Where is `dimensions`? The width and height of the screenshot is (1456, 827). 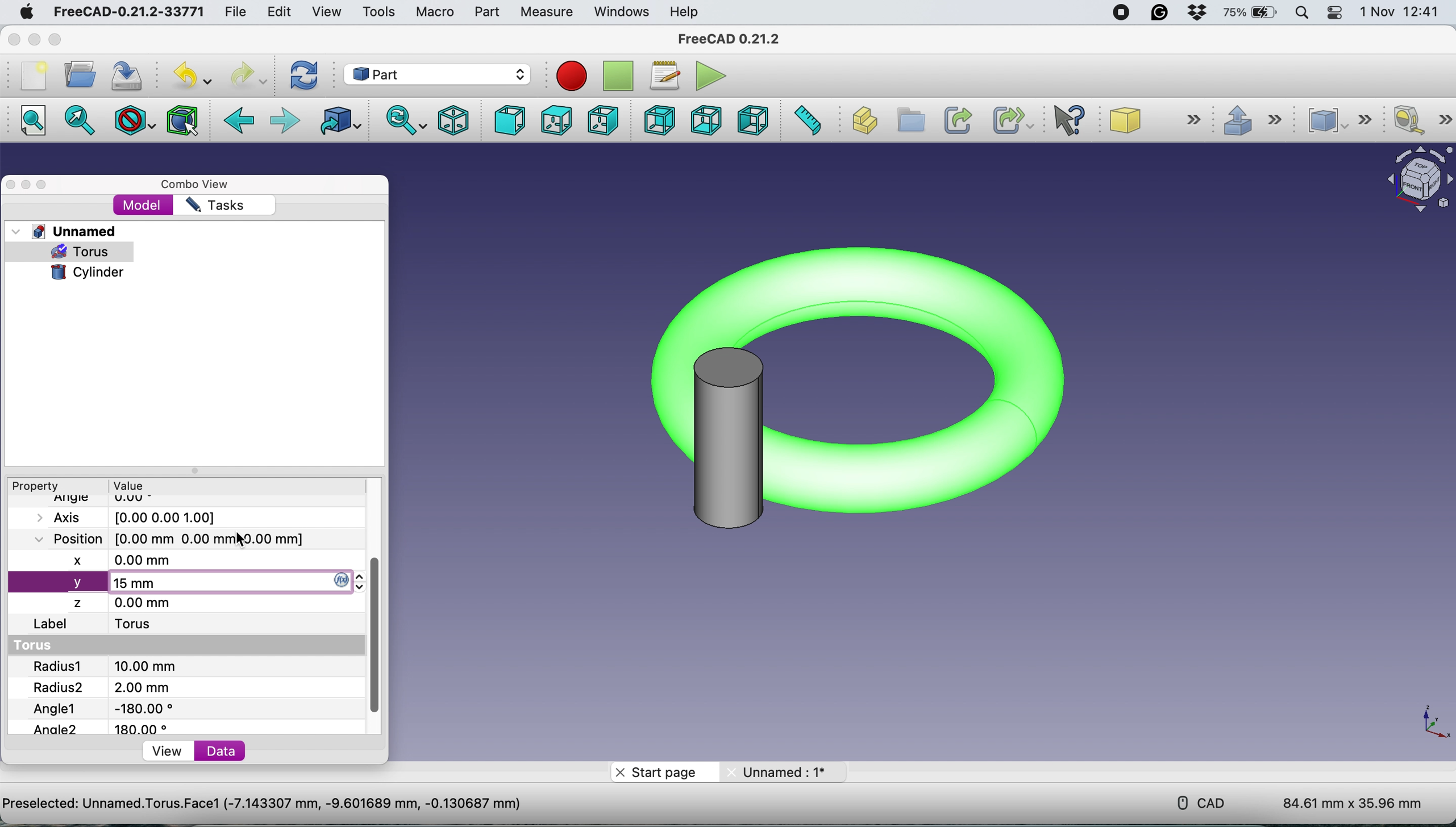 dimensions is located at coordinates (1353, 799).